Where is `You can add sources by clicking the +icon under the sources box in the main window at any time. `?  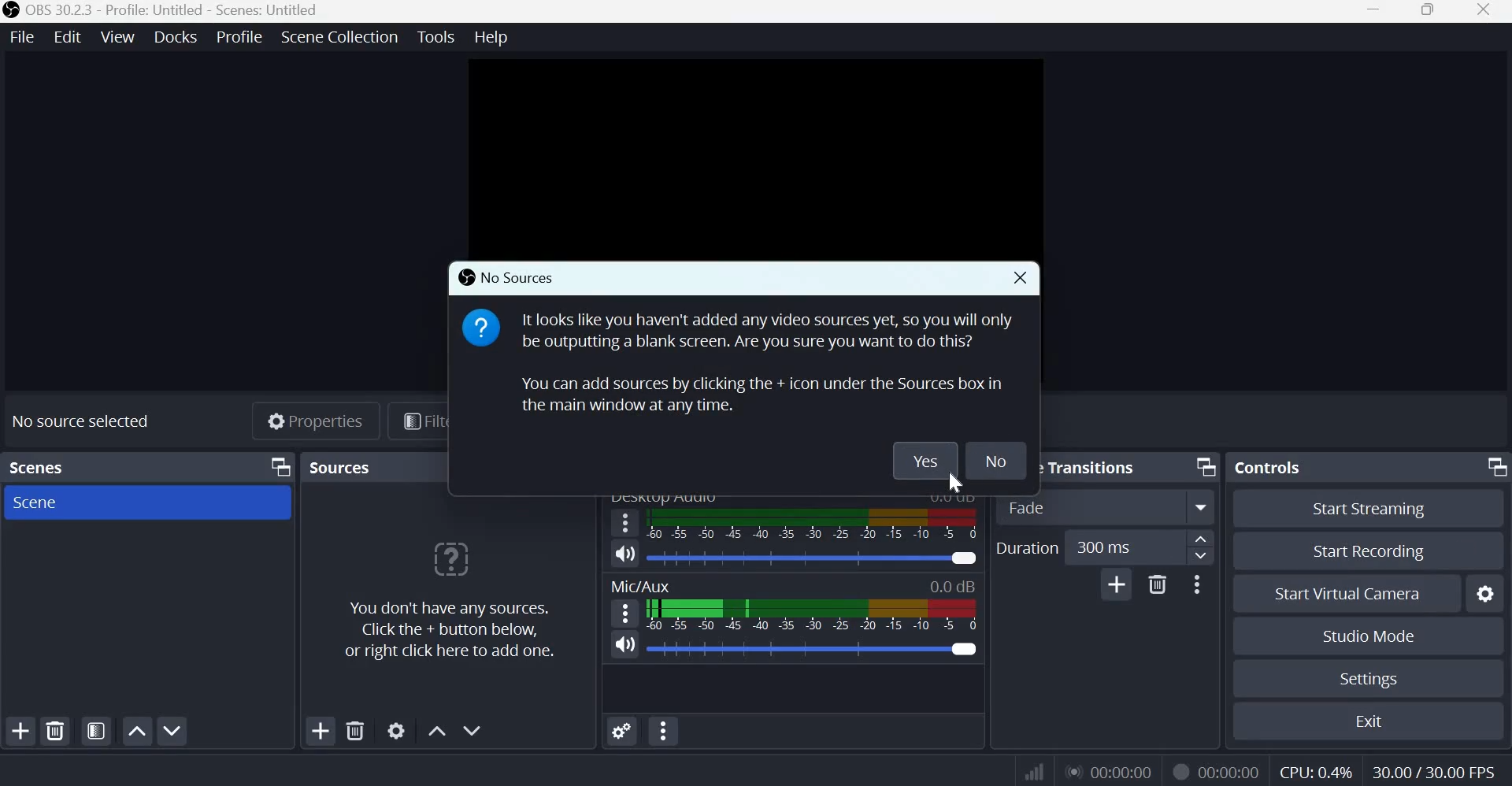
You can add sources by clicking the +icon under the sources box in the main window at any time.  is located at coordinates (744, 394).